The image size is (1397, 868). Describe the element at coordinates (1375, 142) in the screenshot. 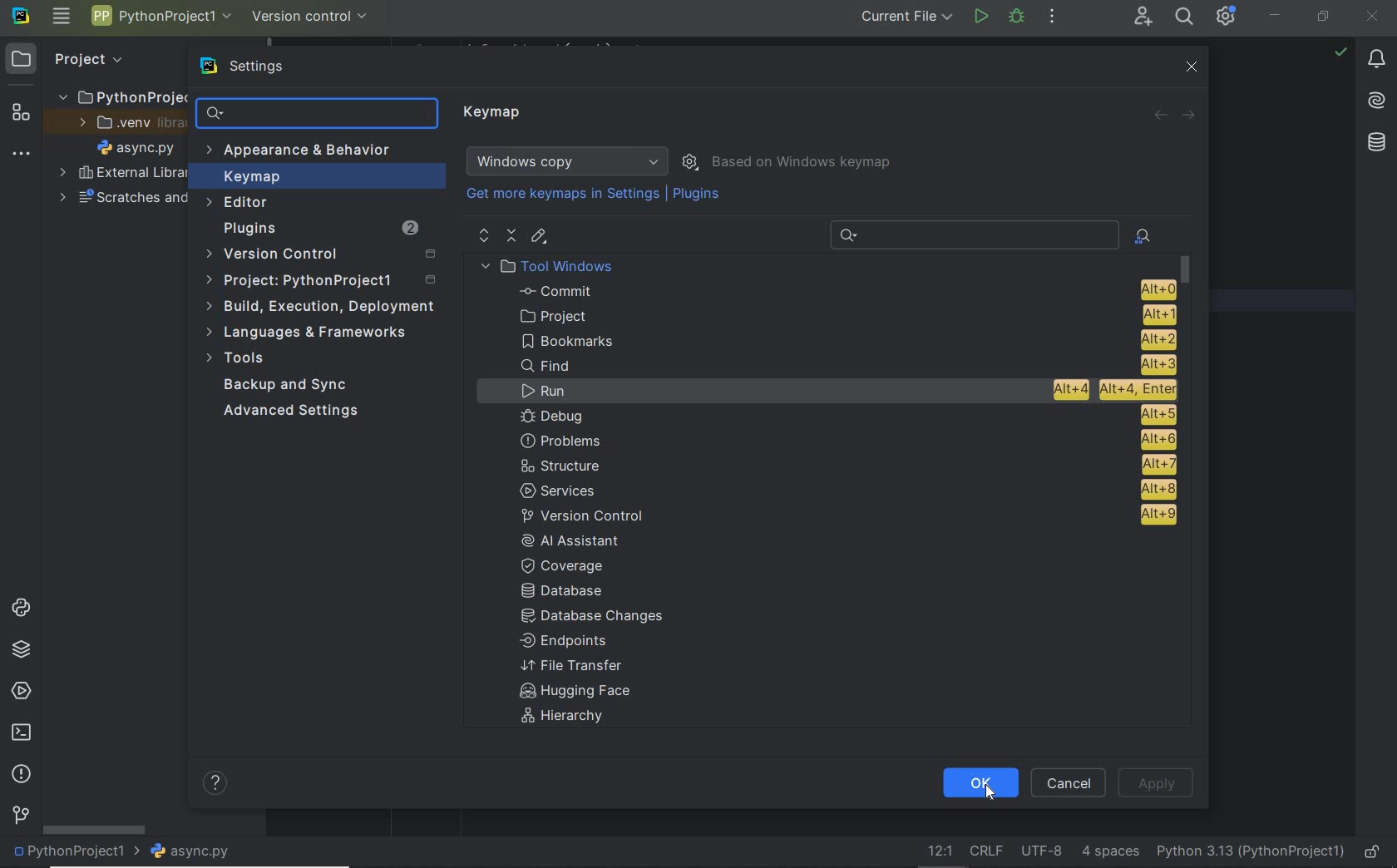

I see `database` at that location.